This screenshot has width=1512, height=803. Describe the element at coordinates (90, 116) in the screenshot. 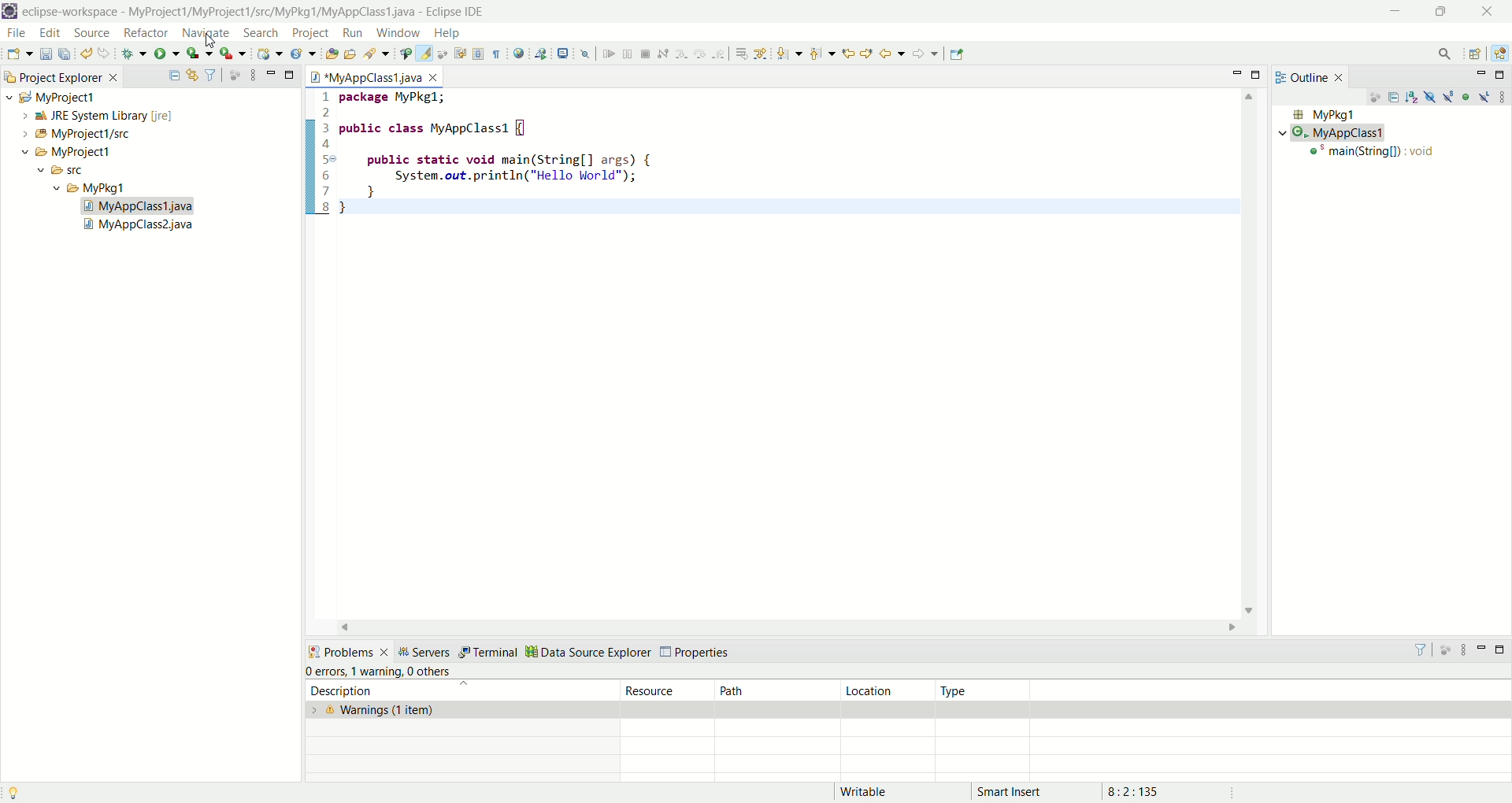

I see `JRE system library` at that location.